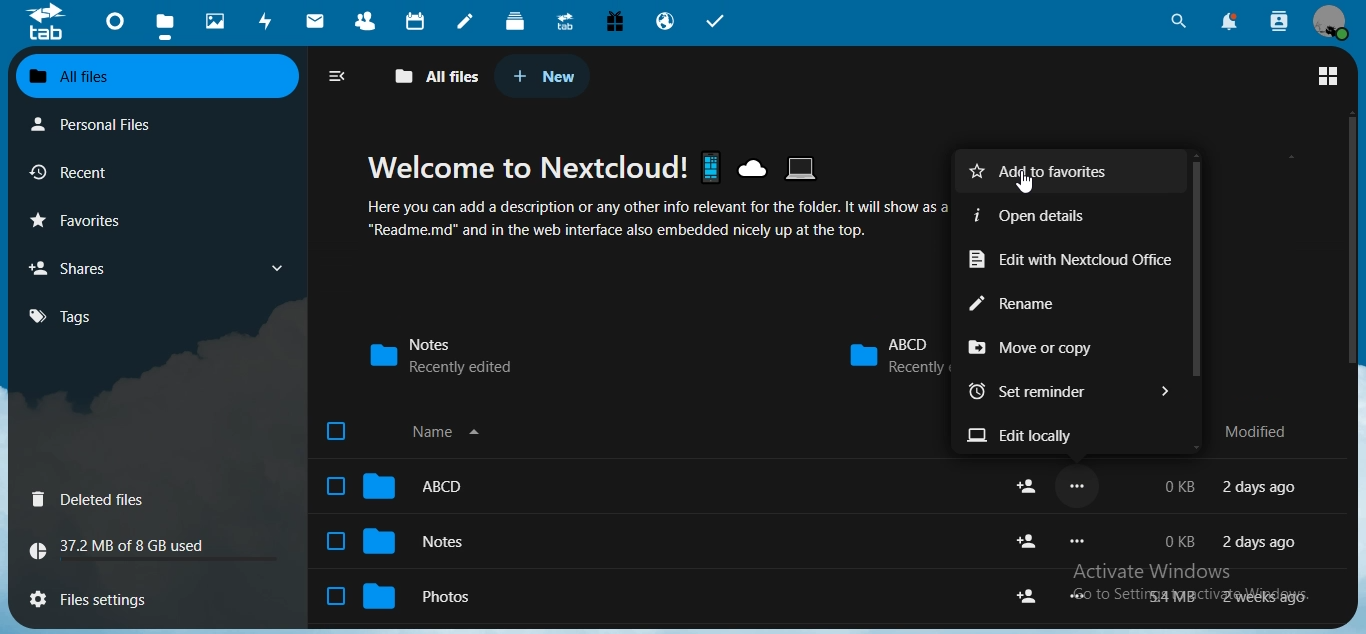  What do you see at coordinates (615, 23) in the screenshot?
I see `free email` at bounding box center [615, 23].